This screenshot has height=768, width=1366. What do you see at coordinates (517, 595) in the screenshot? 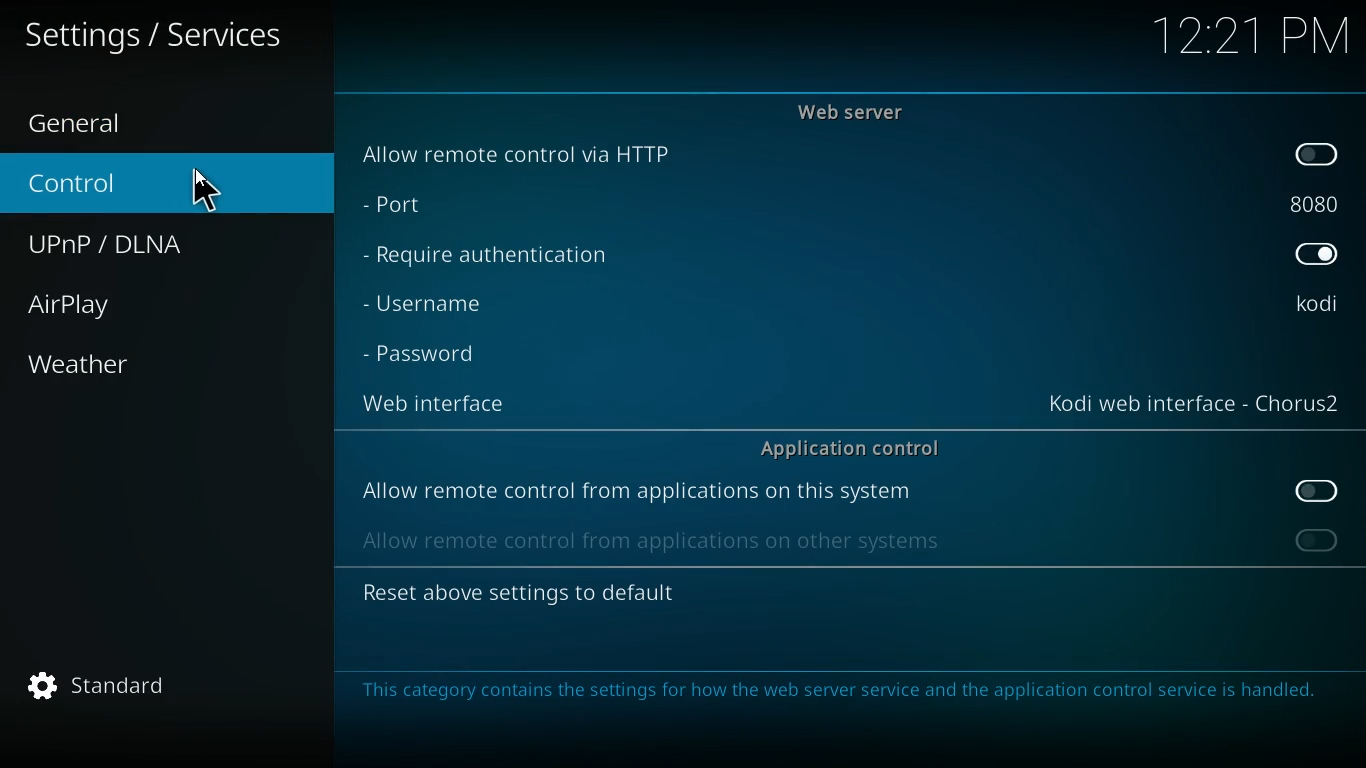
I see `reset` at bounding box center [517, 595].